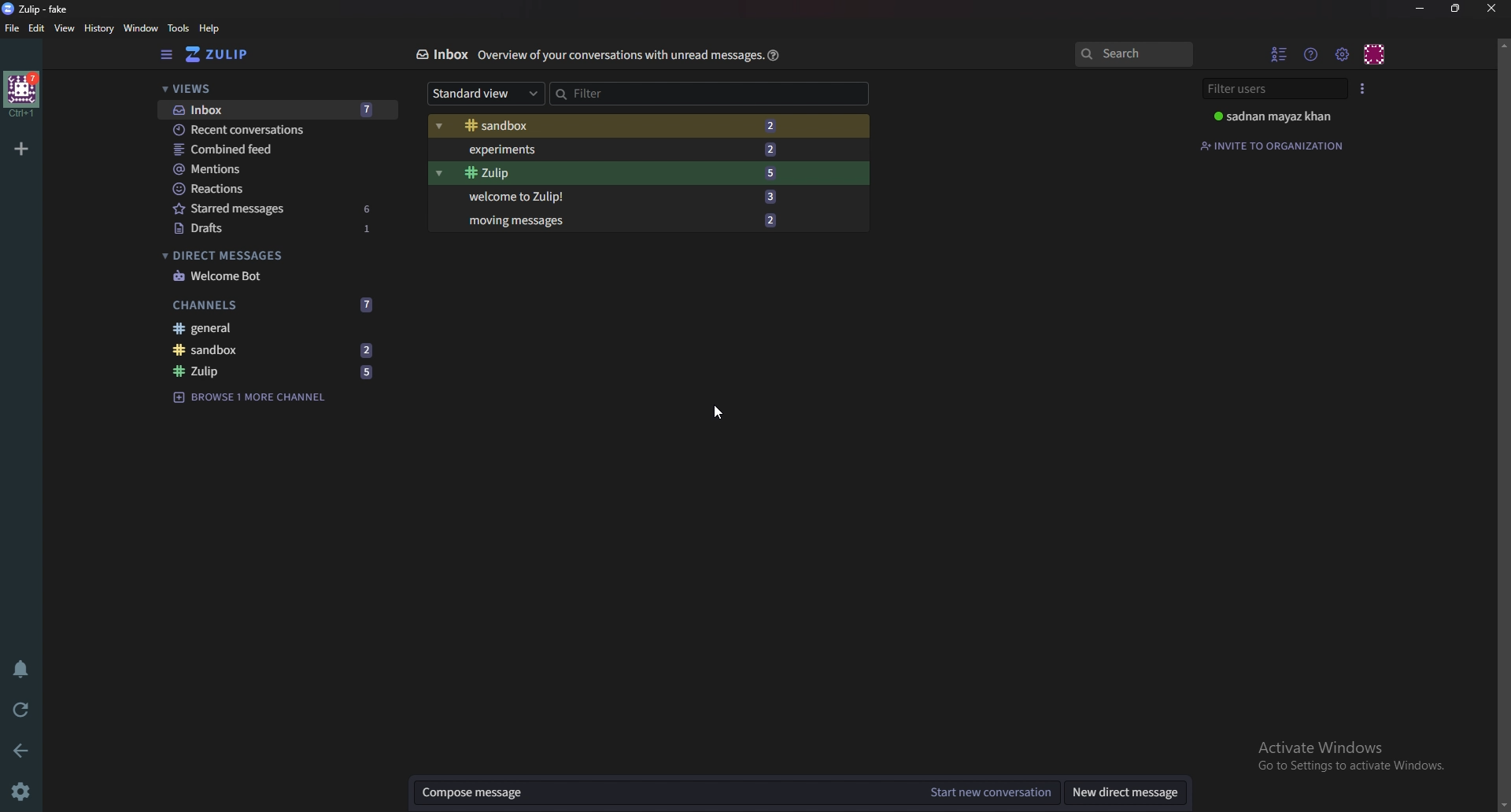 The width and height of the screenshot is (1511, 812). I want to click on New direct message, so click(1125, 792).